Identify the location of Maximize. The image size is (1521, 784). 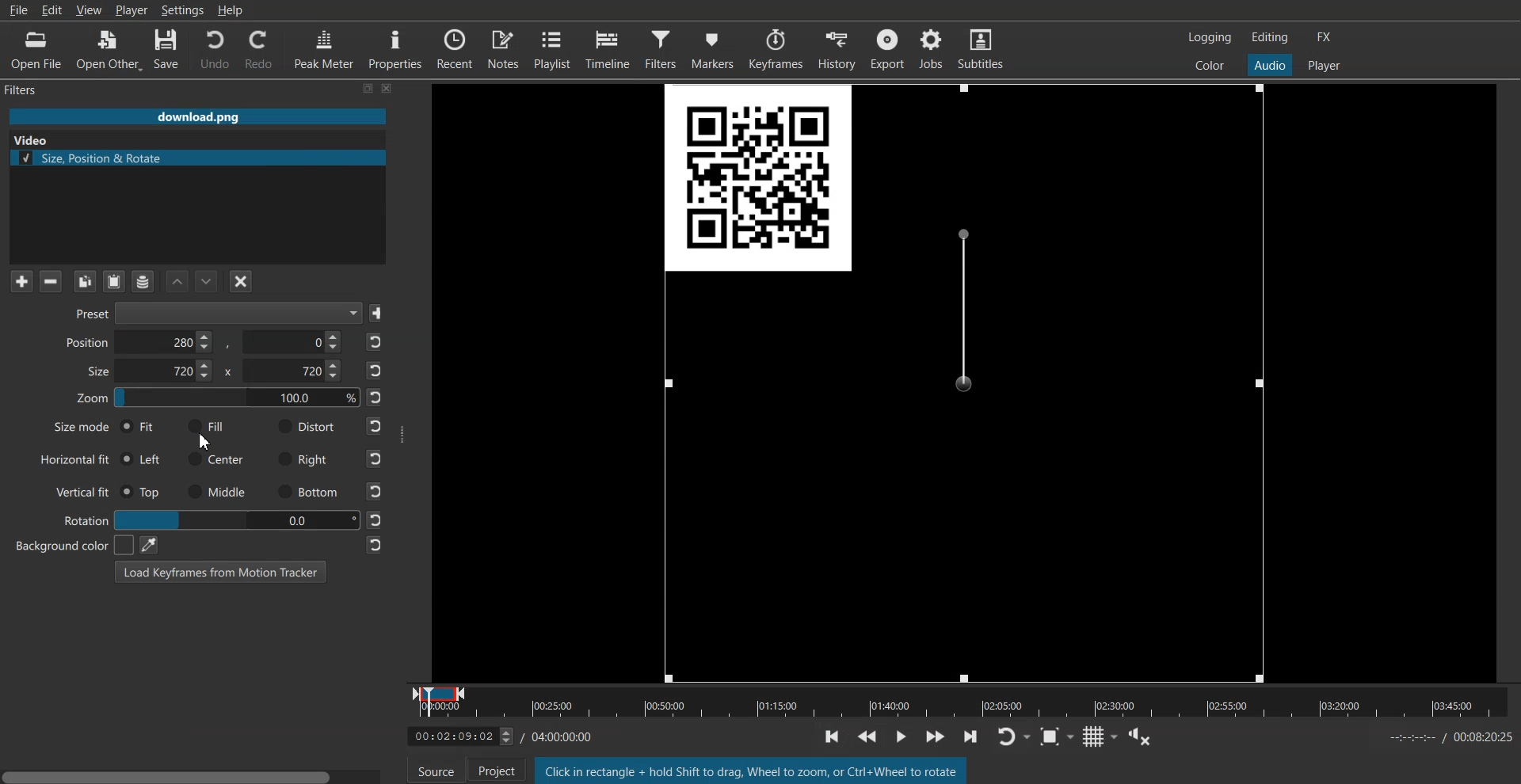
(369, 89).